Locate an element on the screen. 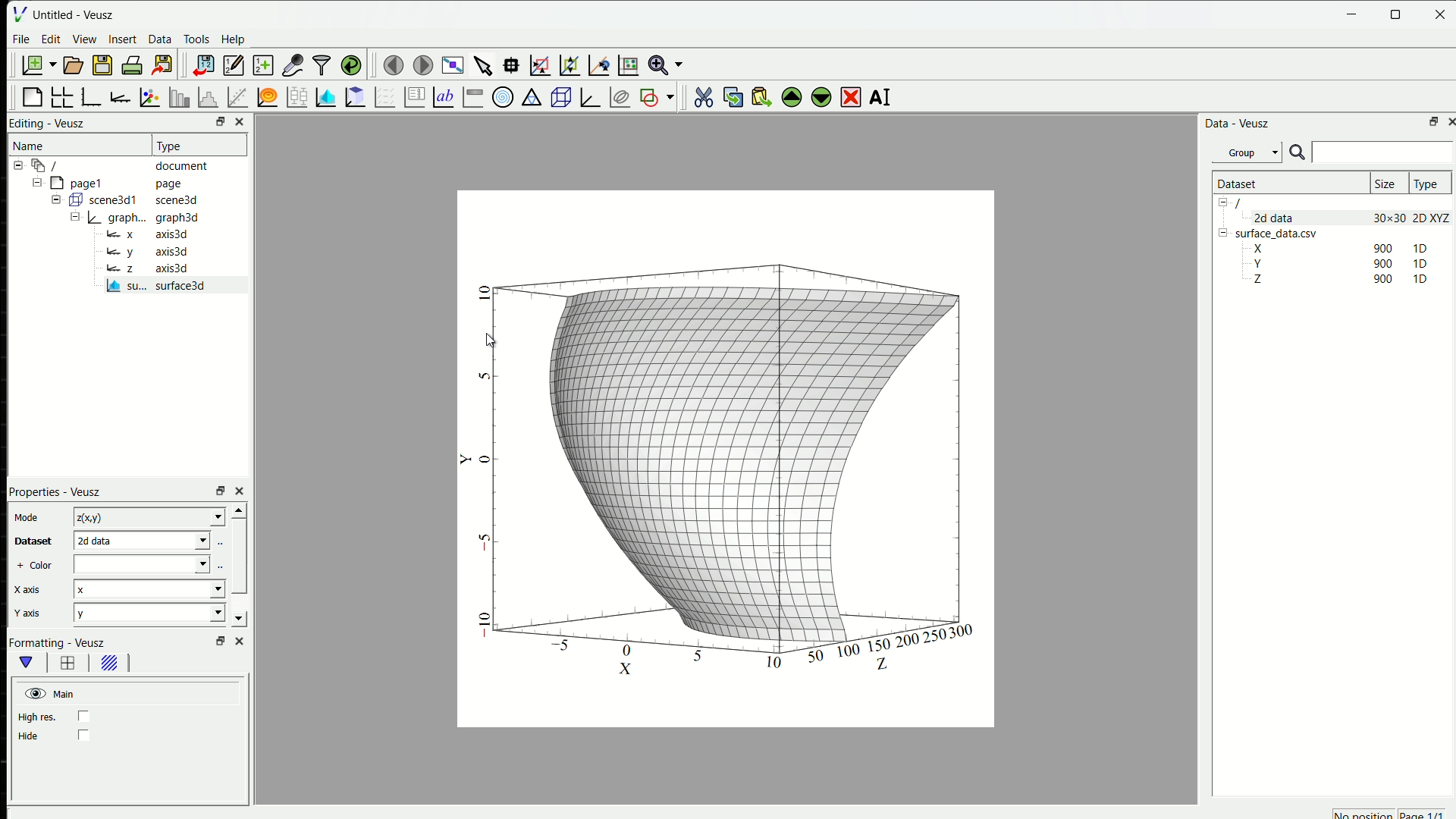 Image resolution: width=1456 pixels, height=819 pixels. checkbox is located at coordinates (83, 734).